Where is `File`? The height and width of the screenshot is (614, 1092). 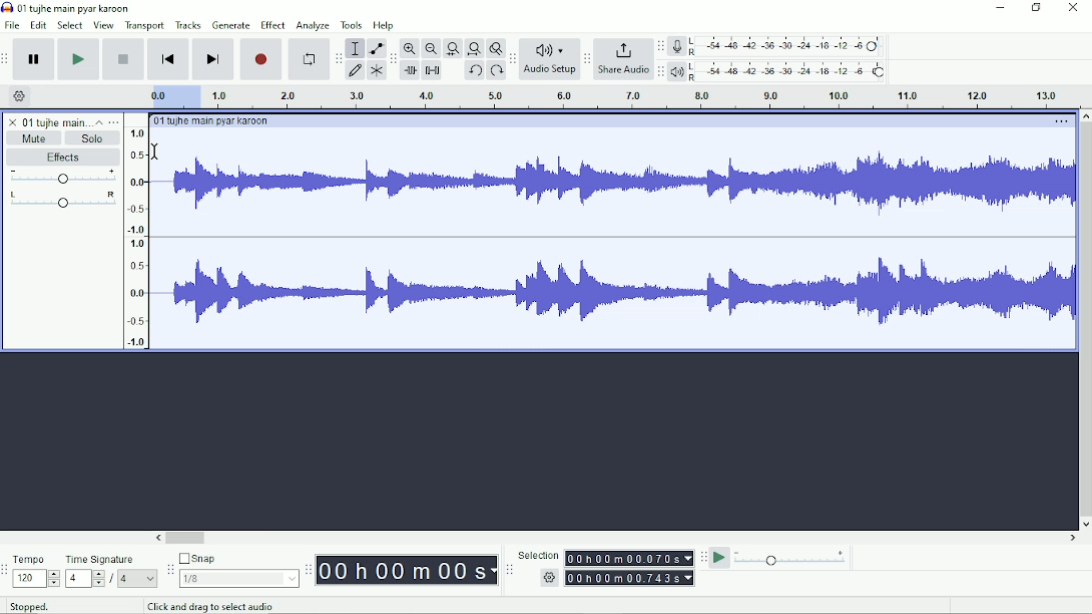 File is located at coordinates (14, 25).